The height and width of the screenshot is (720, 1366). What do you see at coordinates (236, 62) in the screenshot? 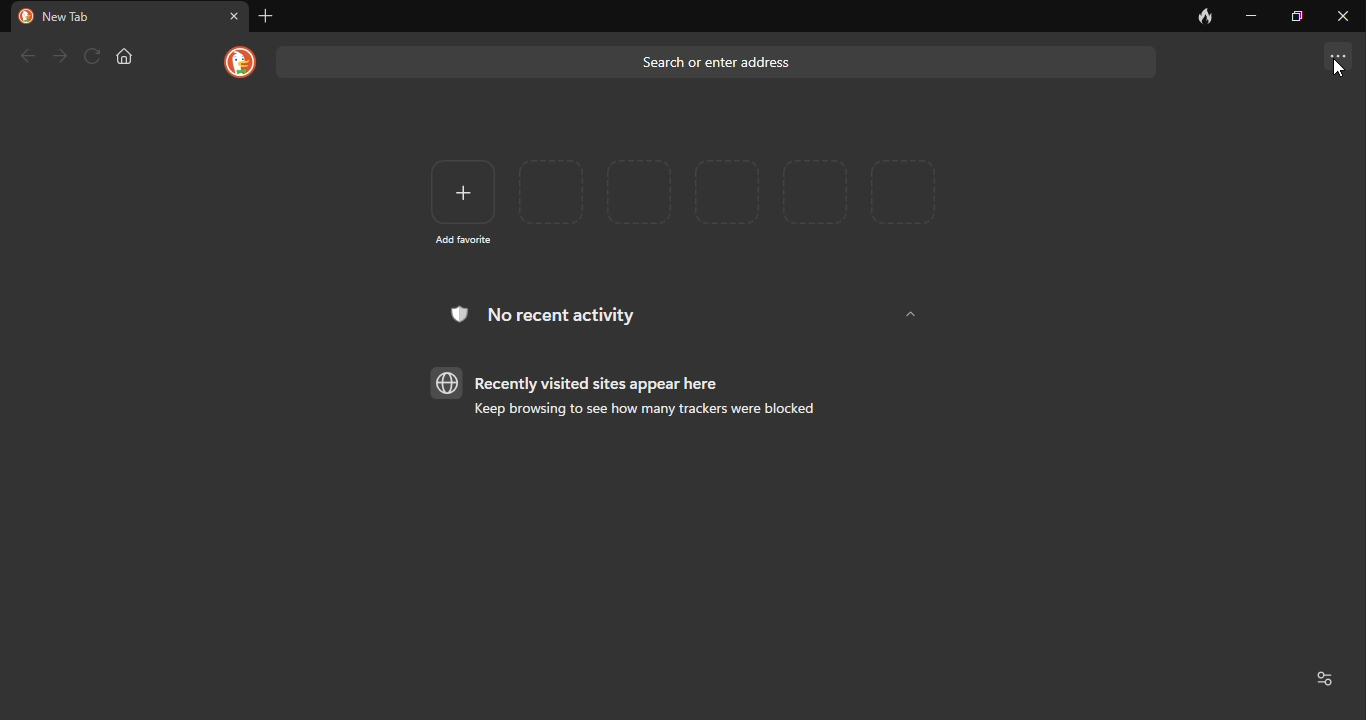
I see `duckduck go logo` at bounding box center [236, 62].